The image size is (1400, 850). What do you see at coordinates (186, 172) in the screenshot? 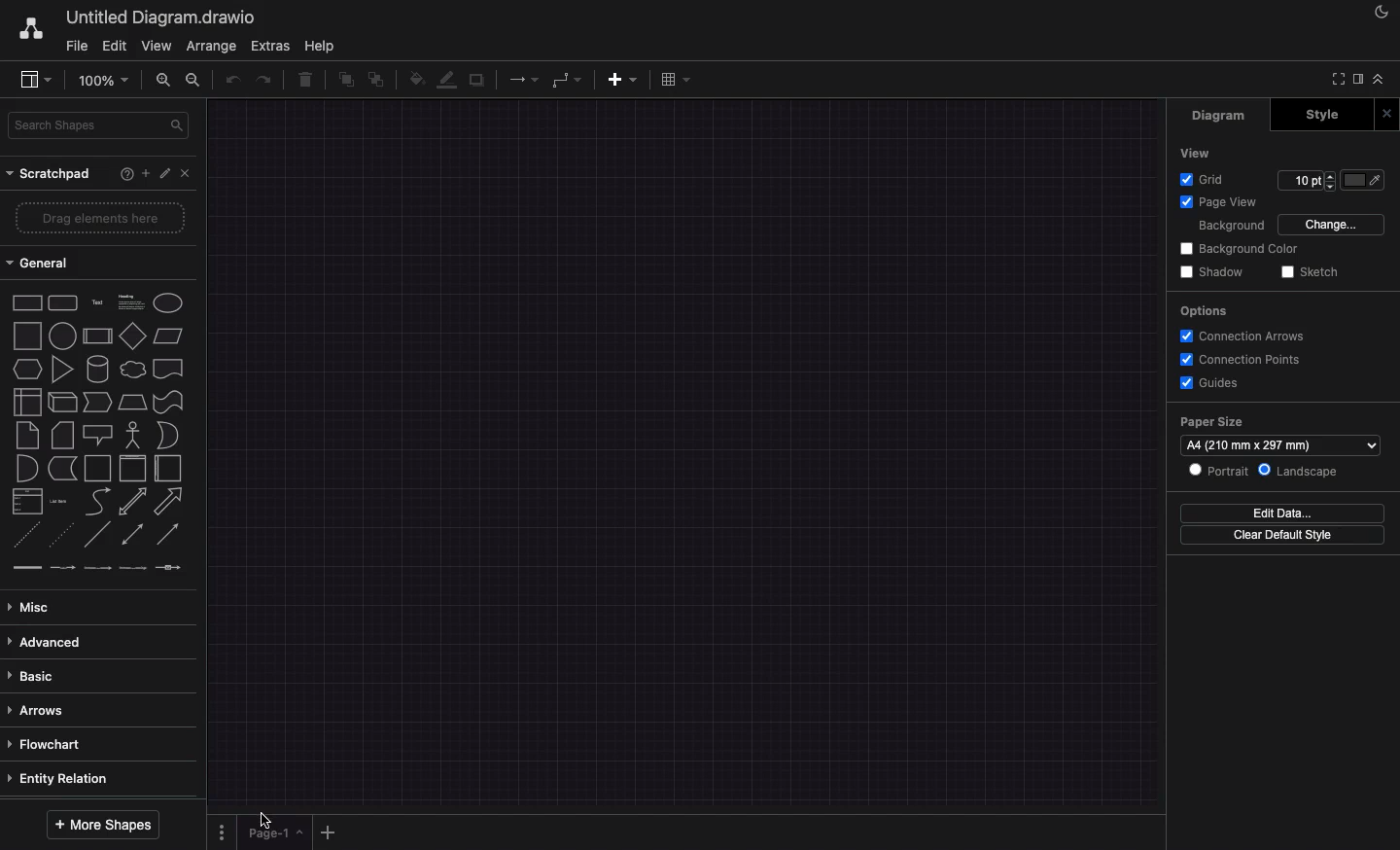
I see `close` at bounding box center [186, 172].